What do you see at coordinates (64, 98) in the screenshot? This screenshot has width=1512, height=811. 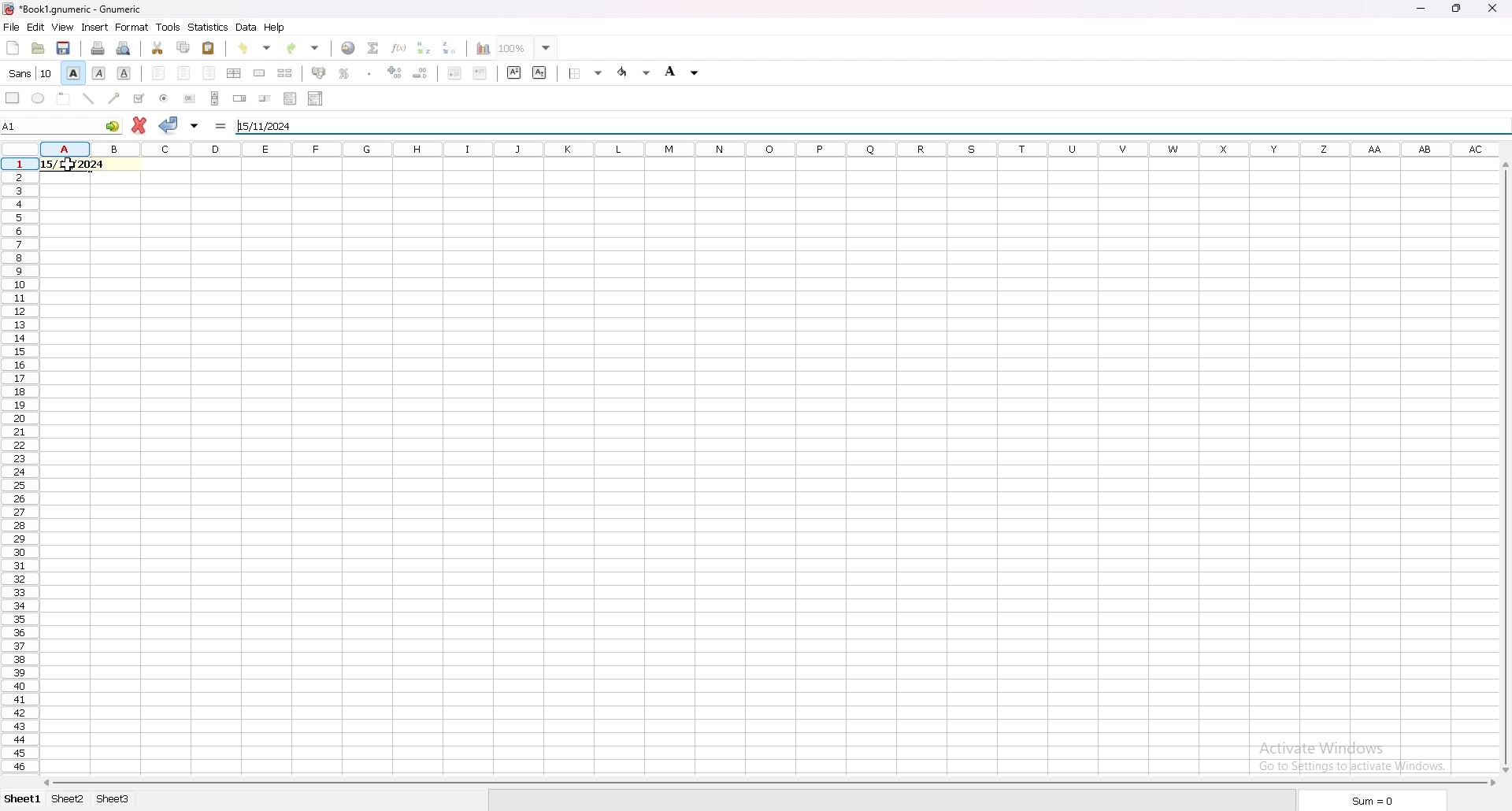 I see `frame` at bounding box center [64, 98].